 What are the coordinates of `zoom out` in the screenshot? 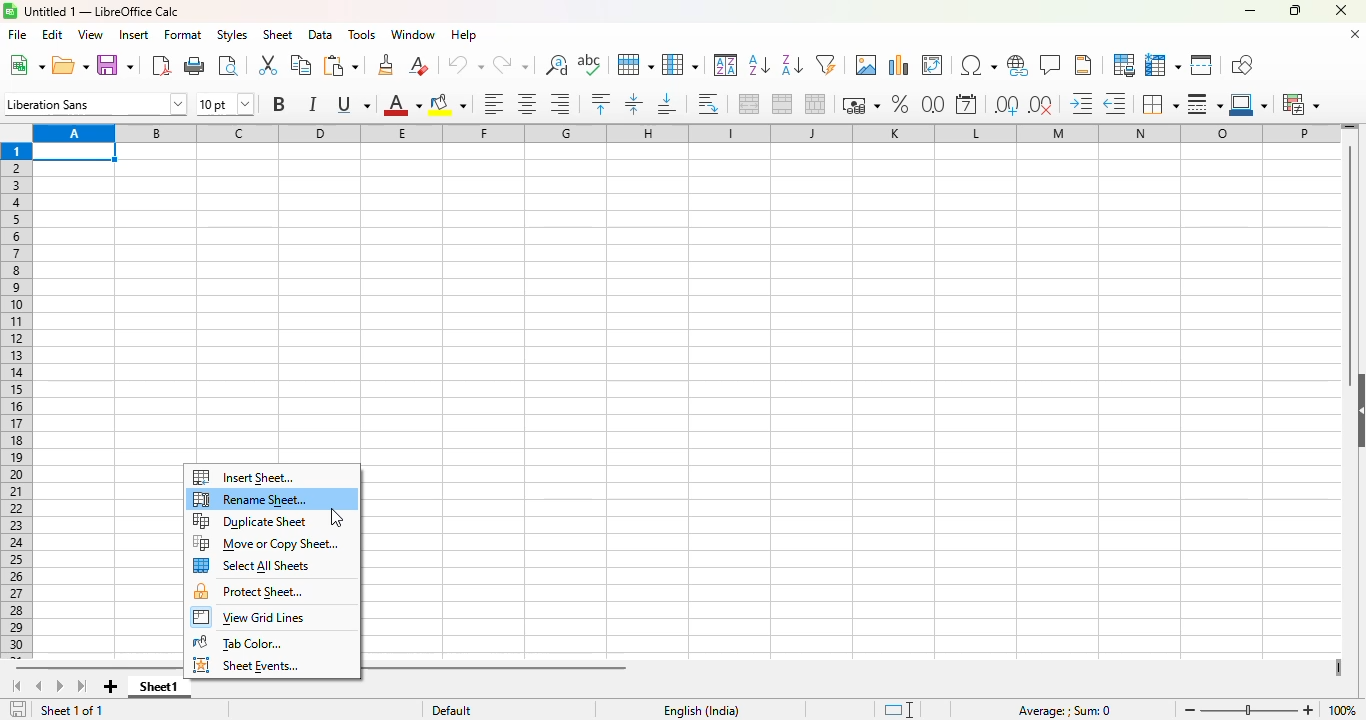 It's located at (1190, 710).